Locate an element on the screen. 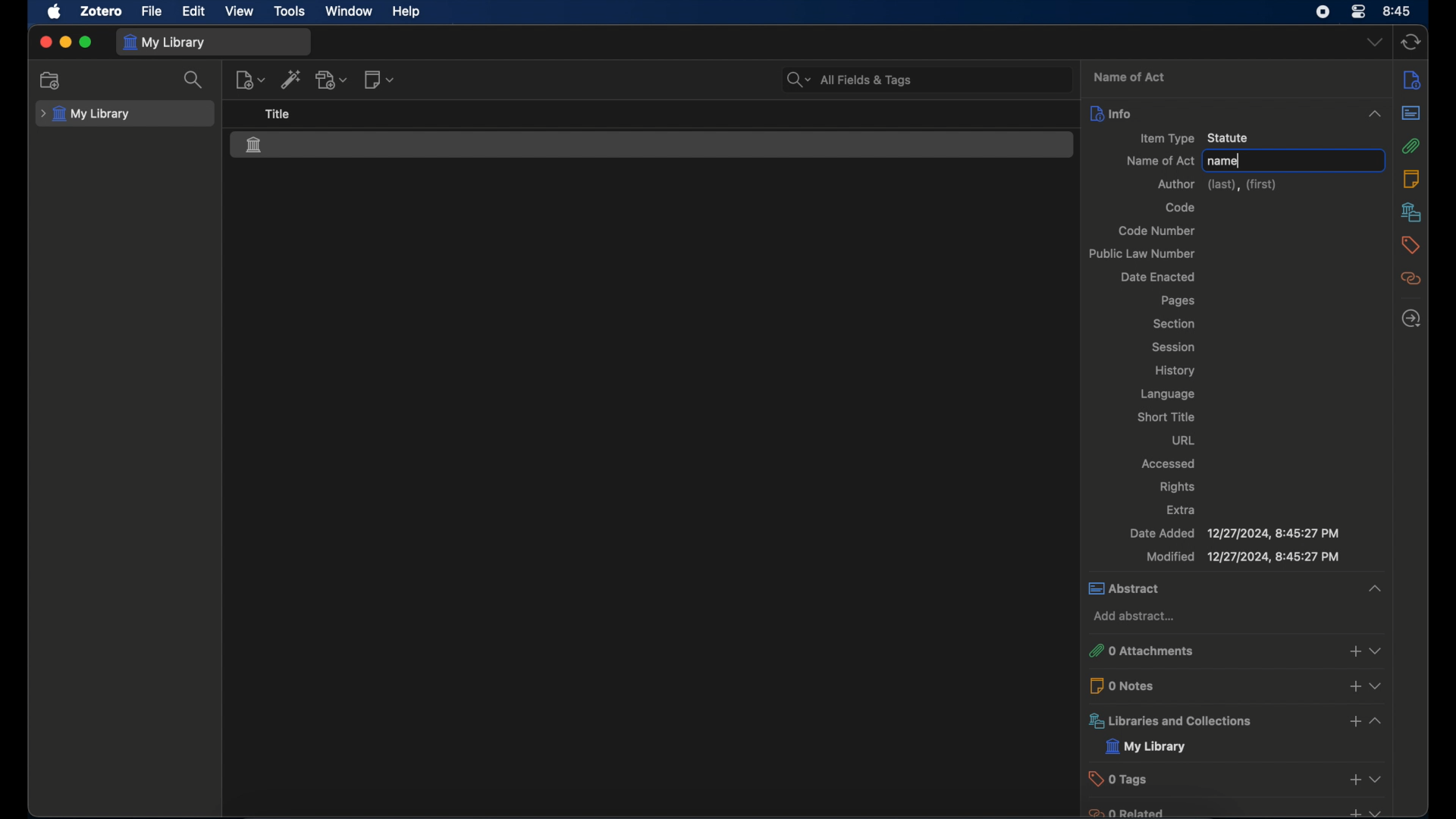 The image size is (1456, 819). dropdown is located at coordinates (1373, 43).